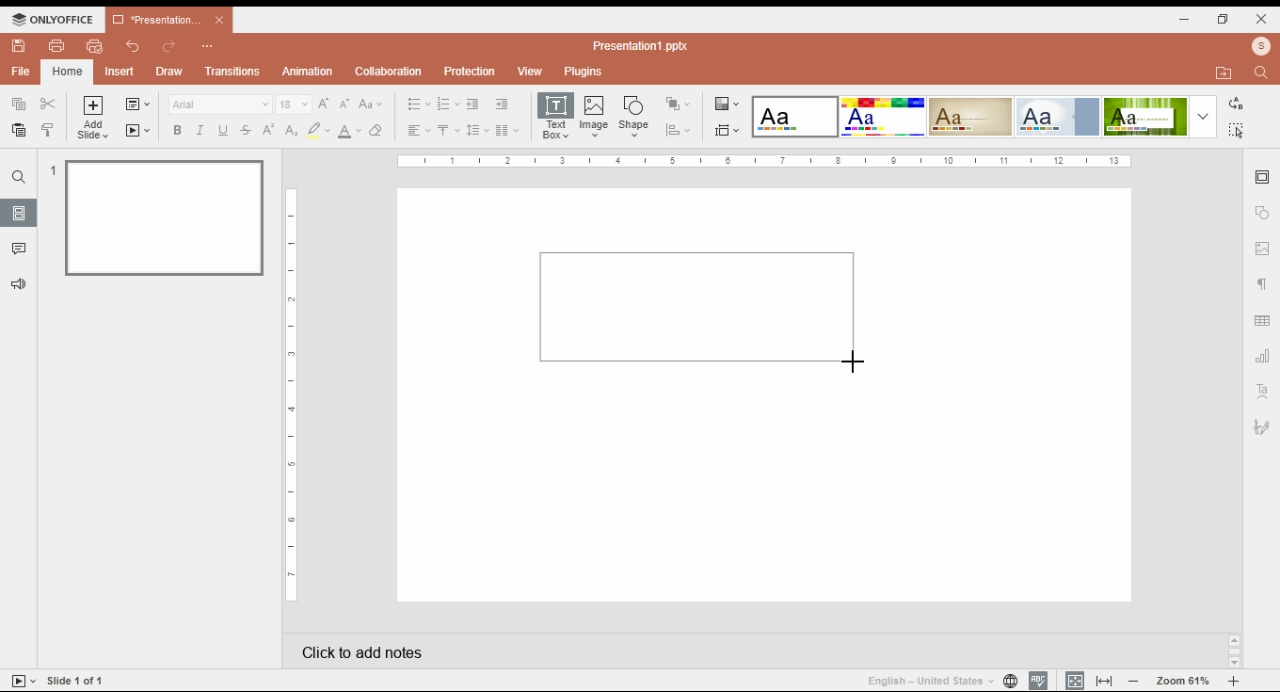  I want to click on decrement font size, so click(345, 103).